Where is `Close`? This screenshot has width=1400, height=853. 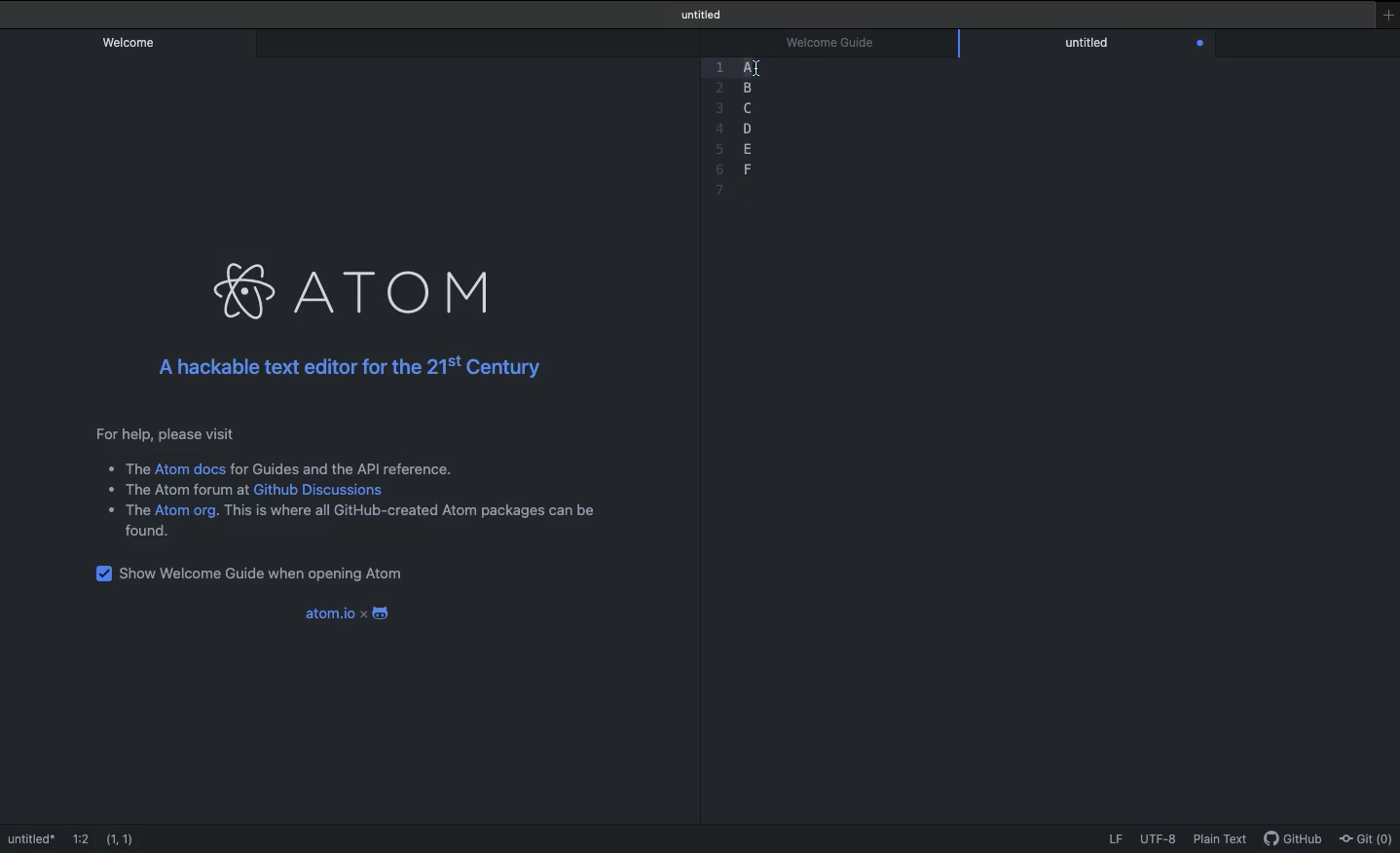
Close is located at coordinates (1200, 44).